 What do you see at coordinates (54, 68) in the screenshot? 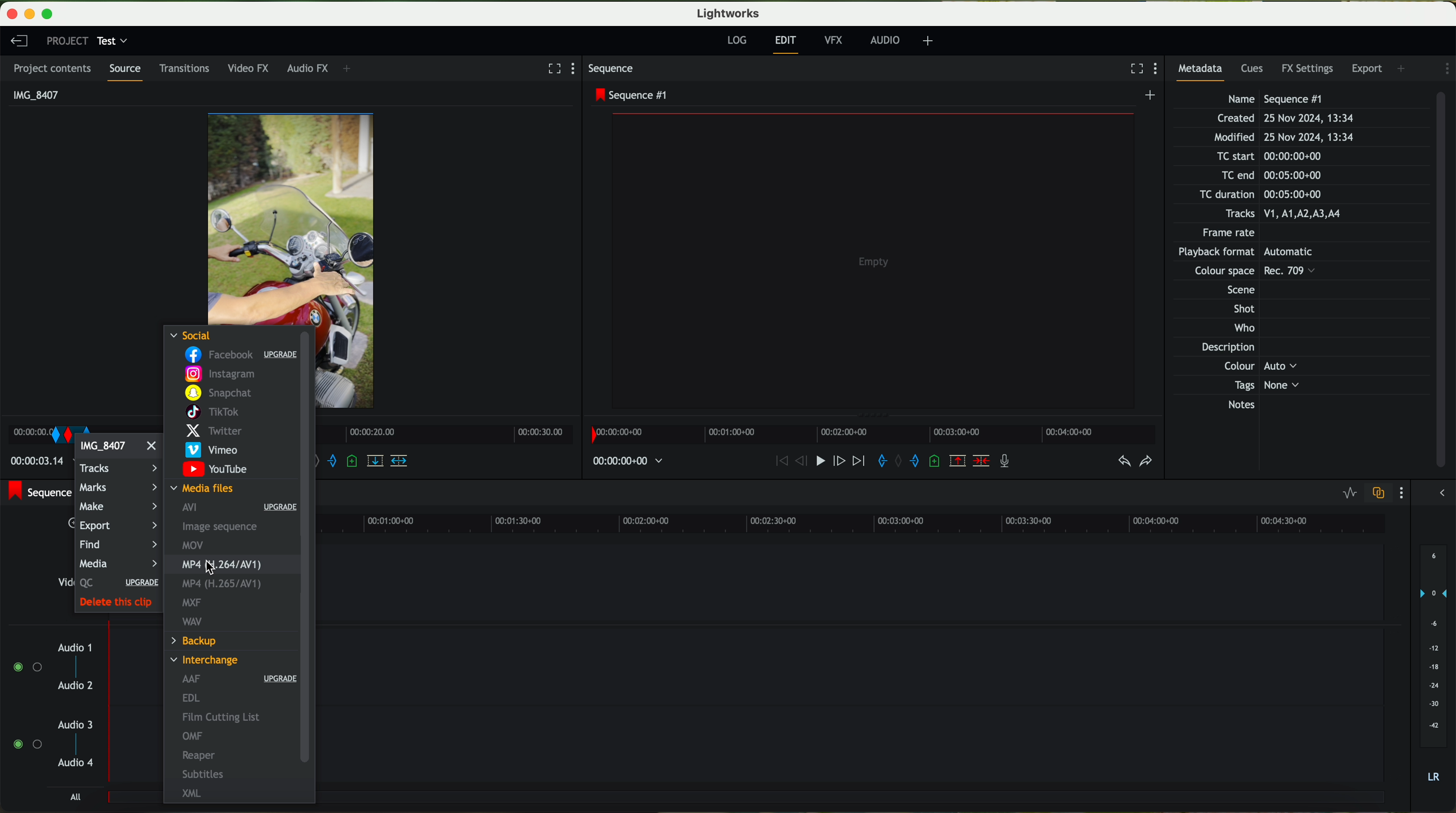
I see `project contents` at bounding box center [54, 68].